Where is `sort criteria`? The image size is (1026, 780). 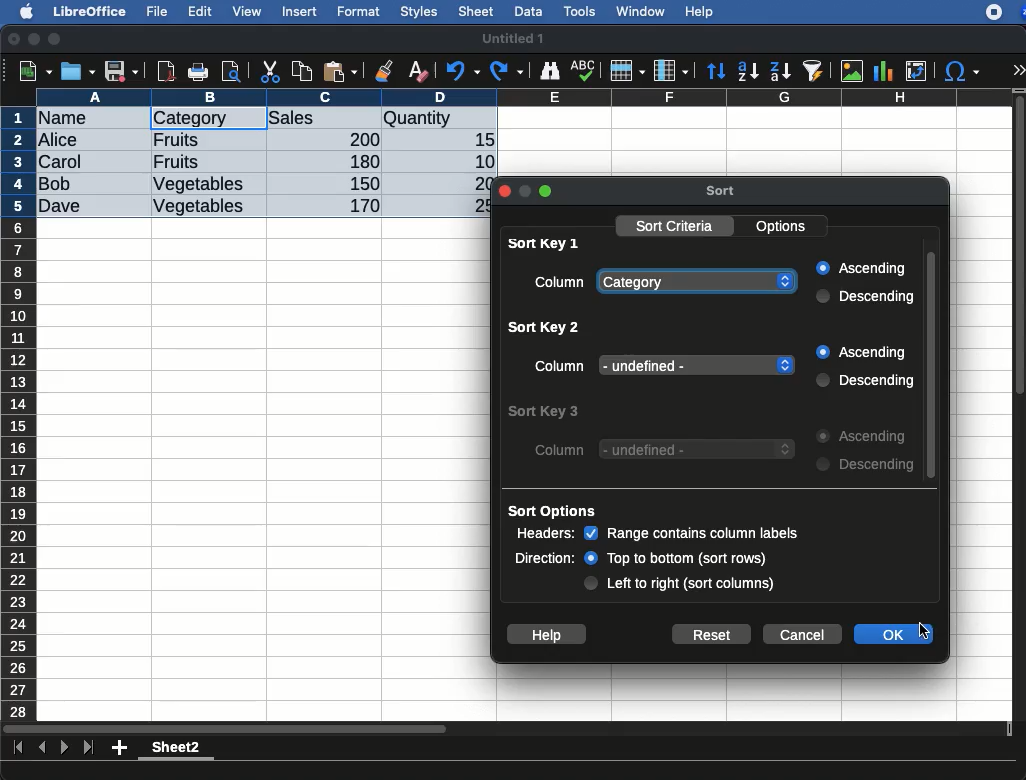 sort criteria is located at coordinates (676, 226).